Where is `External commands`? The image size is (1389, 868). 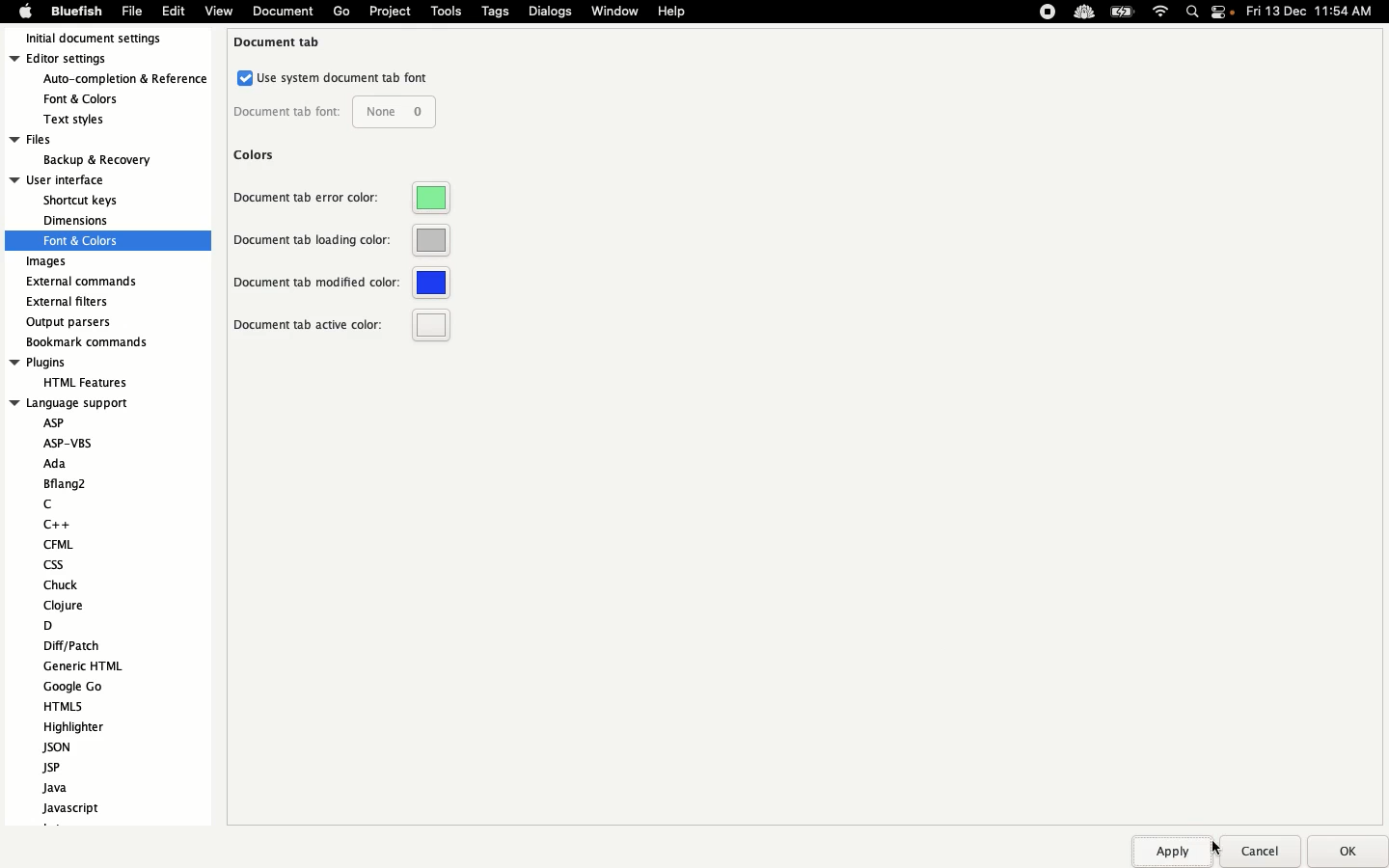
External commands is located at coordinates (82, 282).